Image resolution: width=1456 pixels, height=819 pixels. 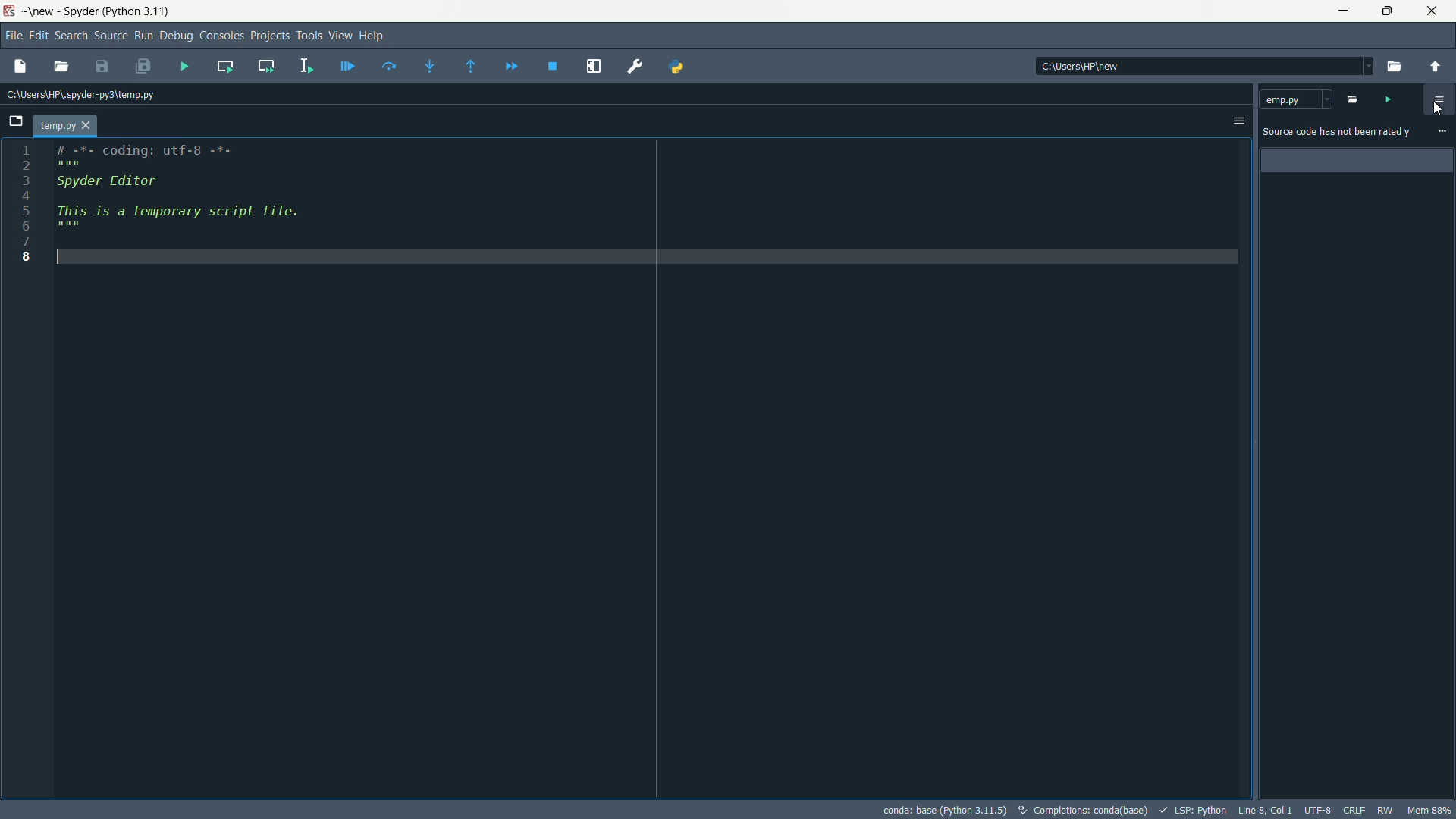 What do you see at coordinates (227, 66) in the screenshot?
I see `run current cell` at bounding box center [227, 66].